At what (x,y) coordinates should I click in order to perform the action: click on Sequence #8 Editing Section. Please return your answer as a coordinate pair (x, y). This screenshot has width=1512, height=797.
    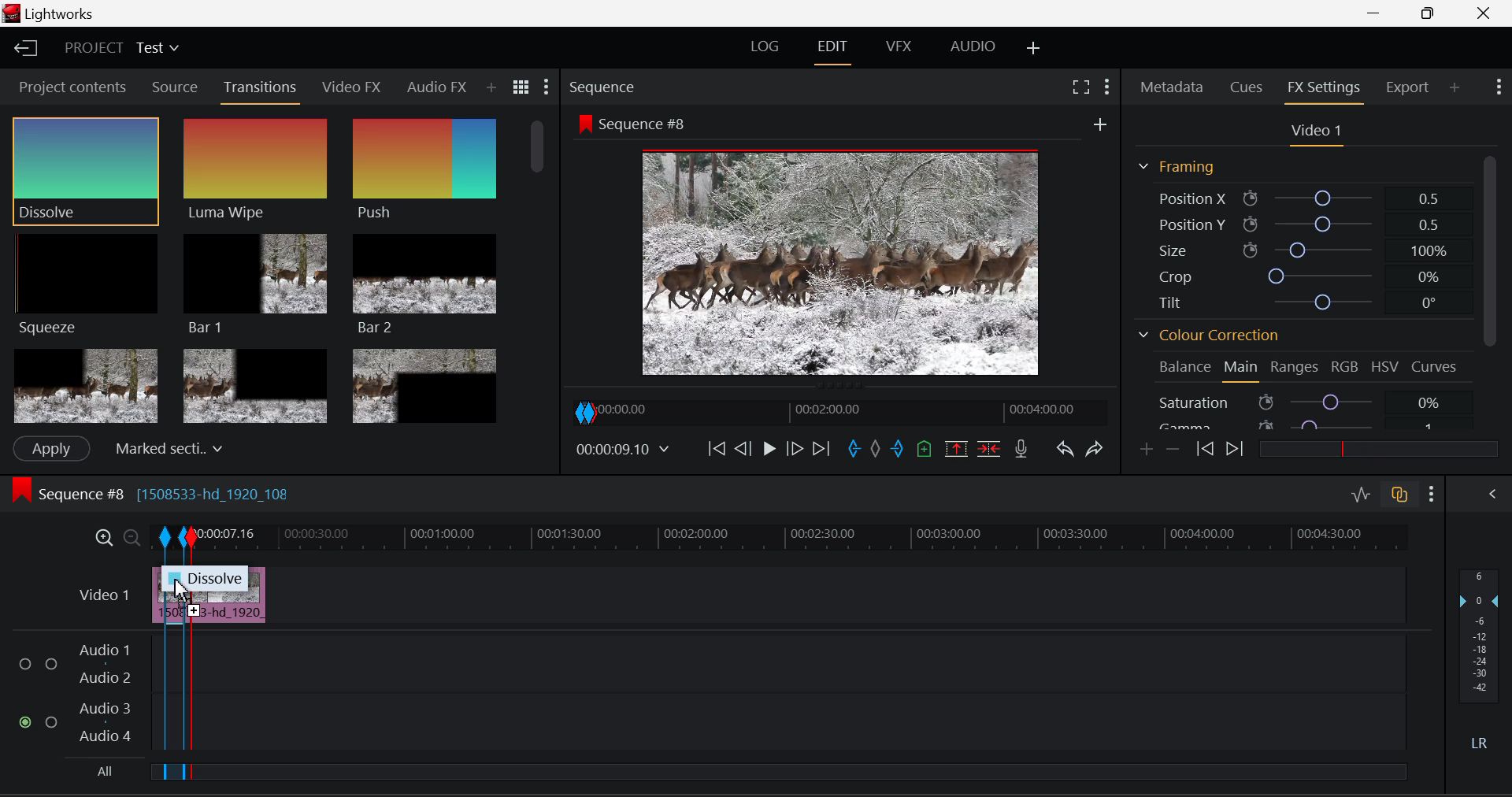
    Looking at the image, I should click on (198, 496).